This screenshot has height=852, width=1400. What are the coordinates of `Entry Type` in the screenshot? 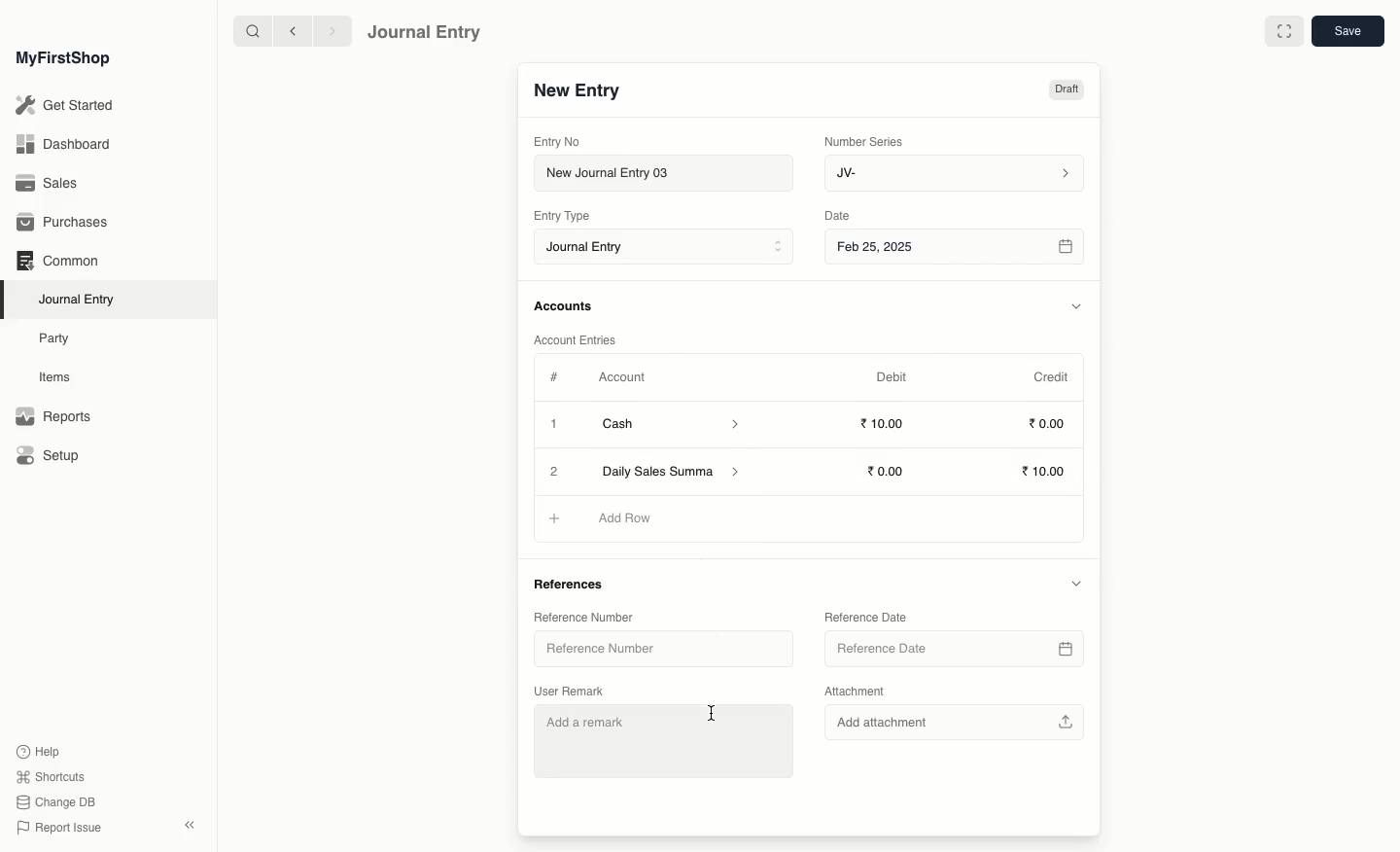 It's located at (568, 216).